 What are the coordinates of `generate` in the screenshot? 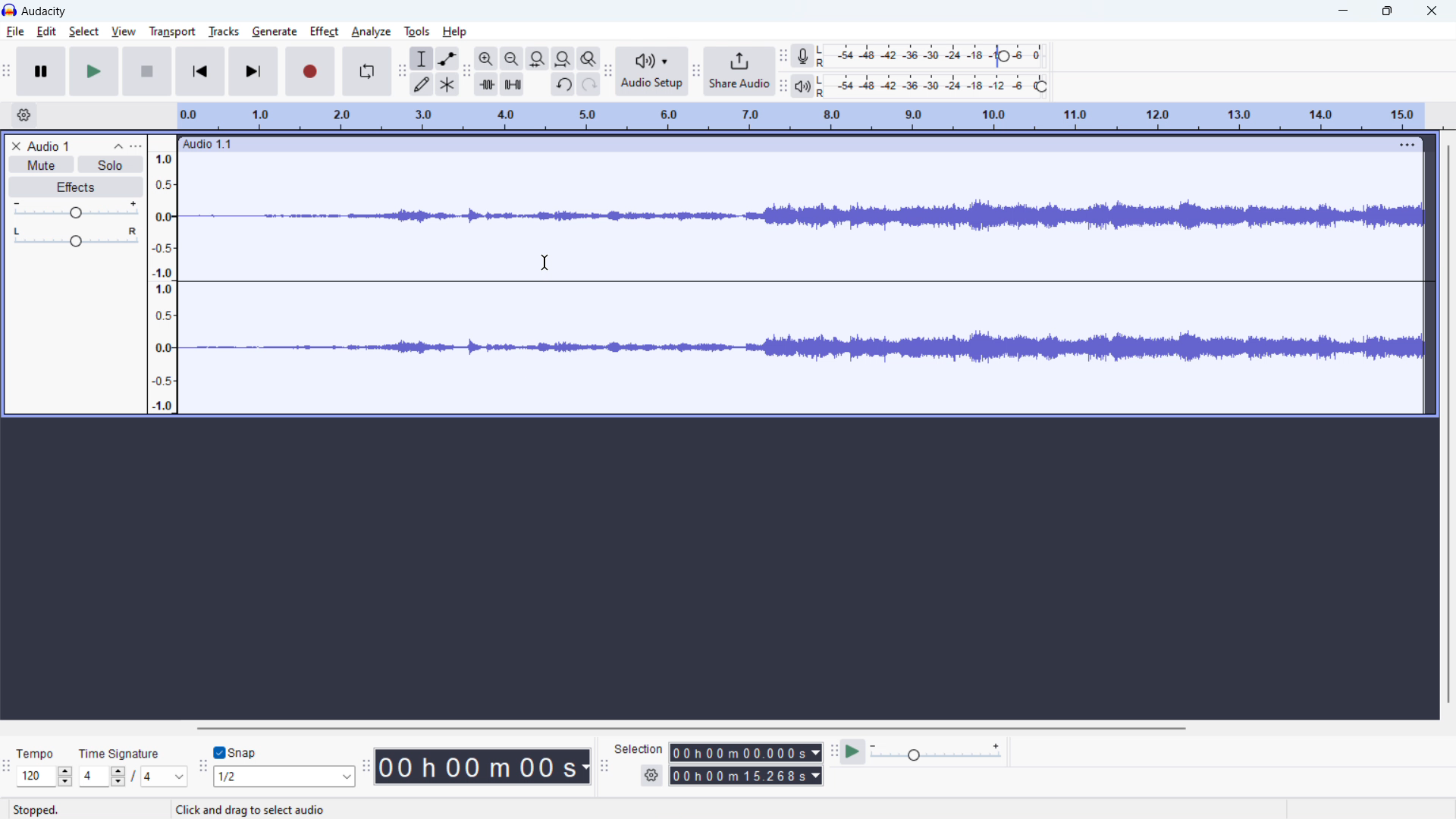 It's located at (275, 32).